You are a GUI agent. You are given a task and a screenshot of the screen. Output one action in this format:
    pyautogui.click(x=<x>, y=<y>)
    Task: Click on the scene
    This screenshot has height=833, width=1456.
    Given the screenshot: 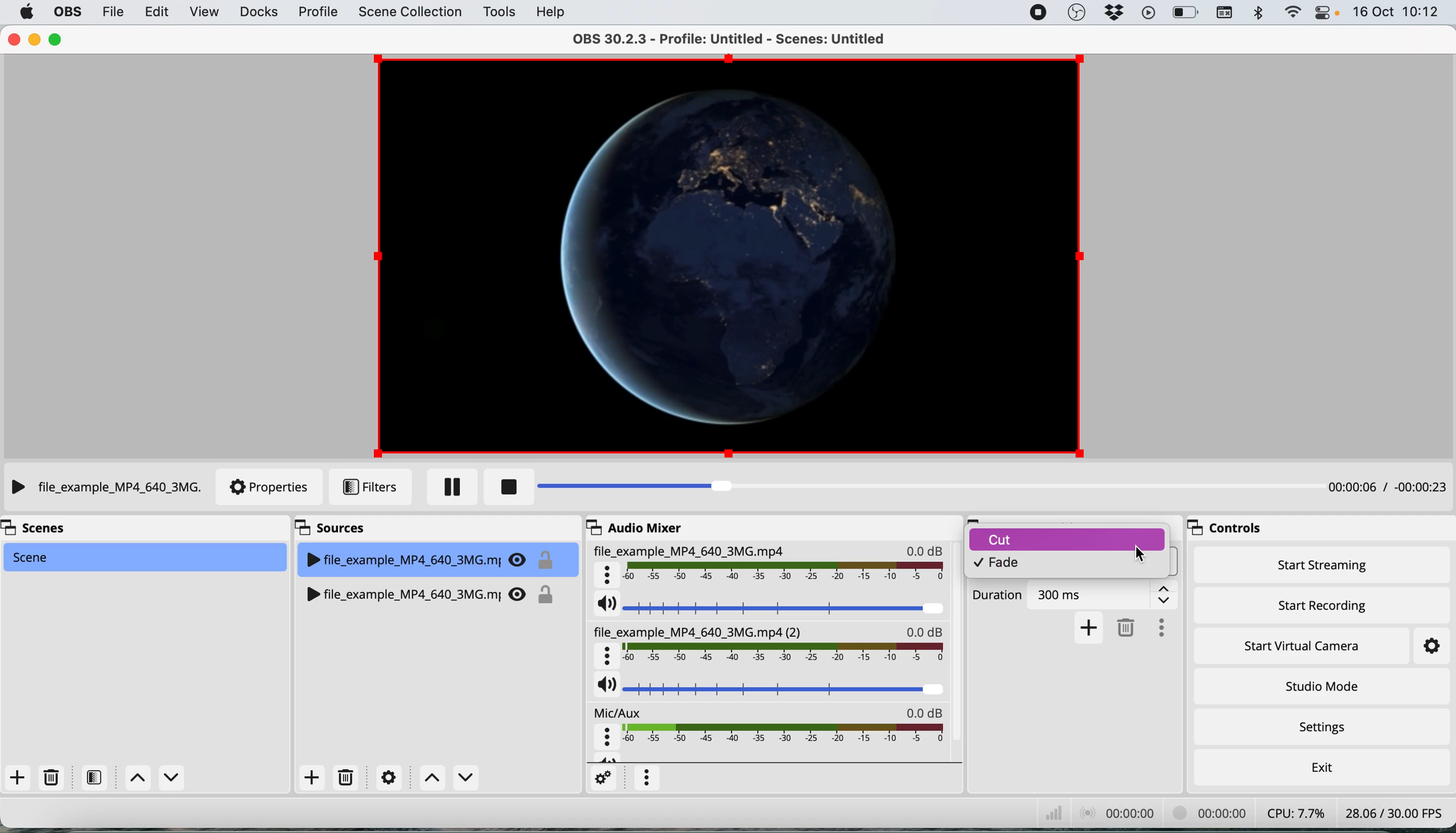 What is the action you would take?
    pyautogui.click(x=145, y=557)
    